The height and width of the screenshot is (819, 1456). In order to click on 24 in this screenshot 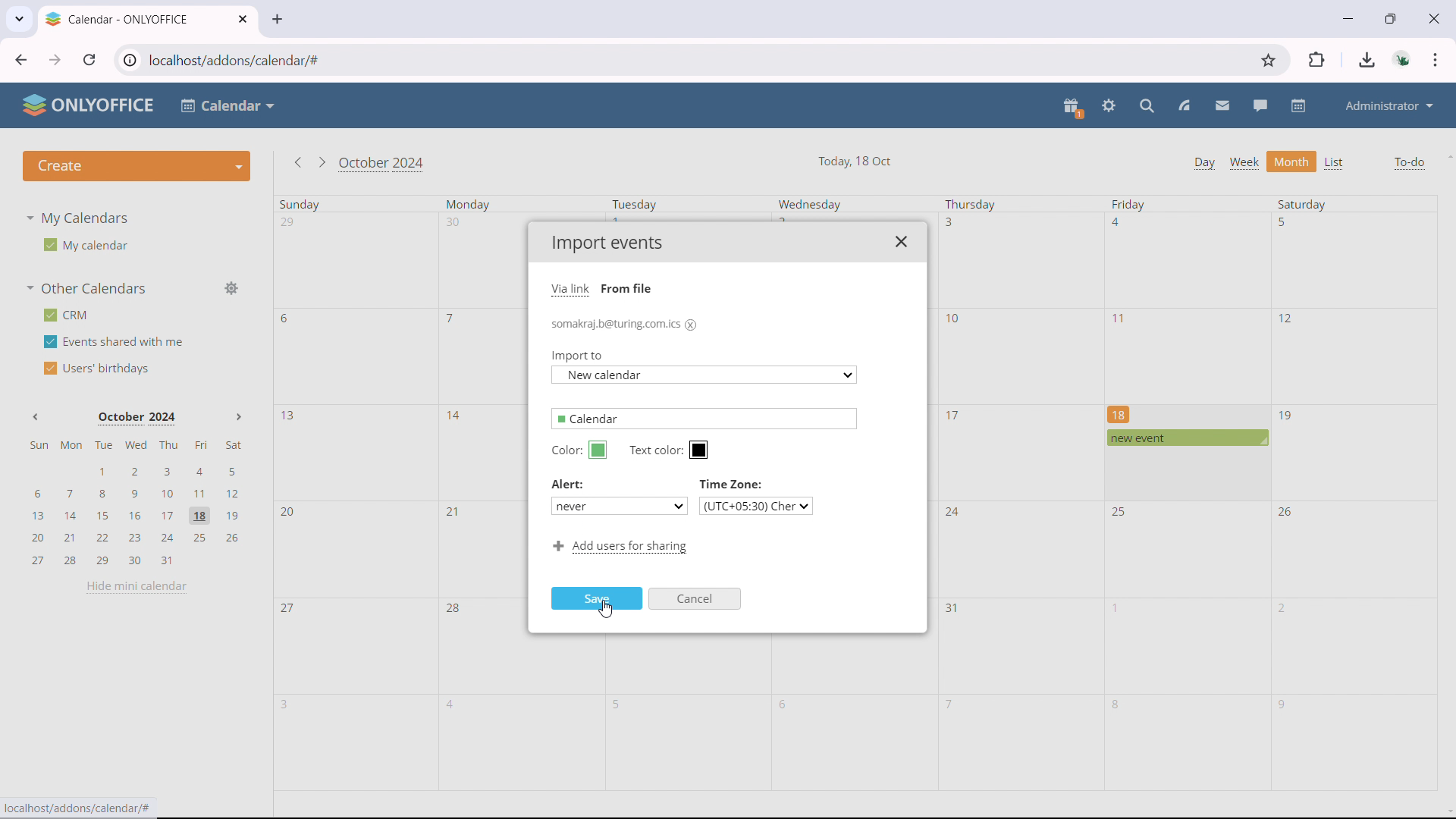, I will do `click(952, 513)`.